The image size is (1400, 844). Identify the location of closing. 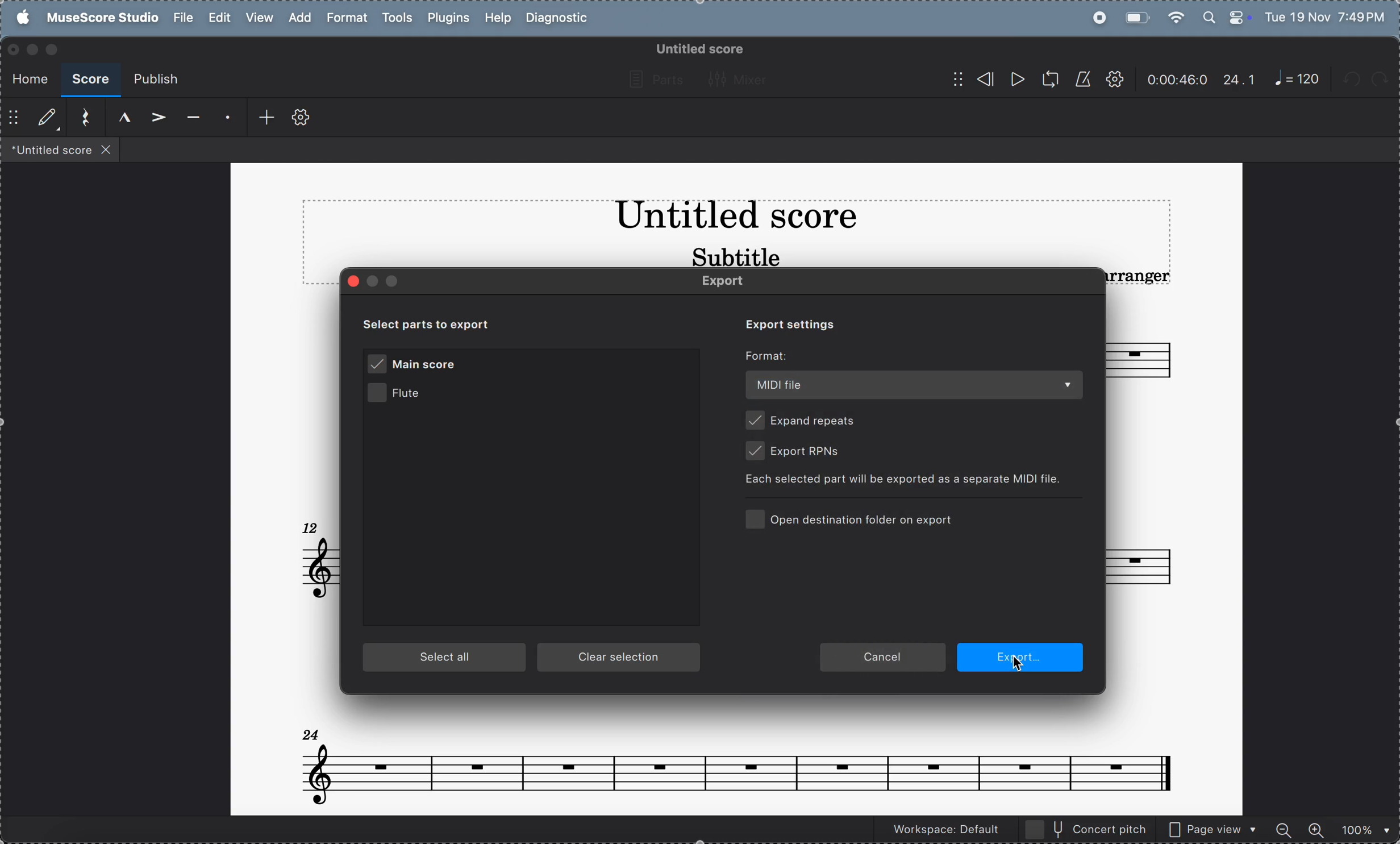
(14, 50).